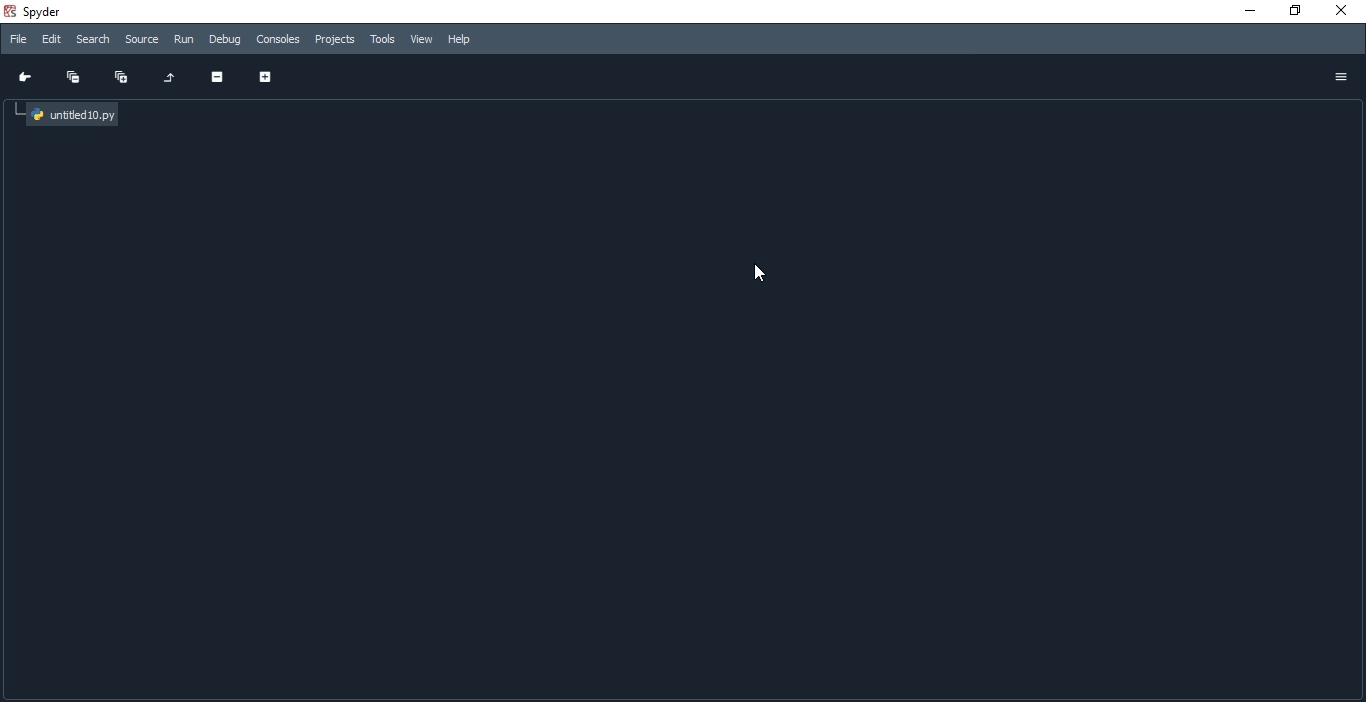 The height and width of the screenshot is (702, 1366). I want to click on Collapse all, so click(74, 76).